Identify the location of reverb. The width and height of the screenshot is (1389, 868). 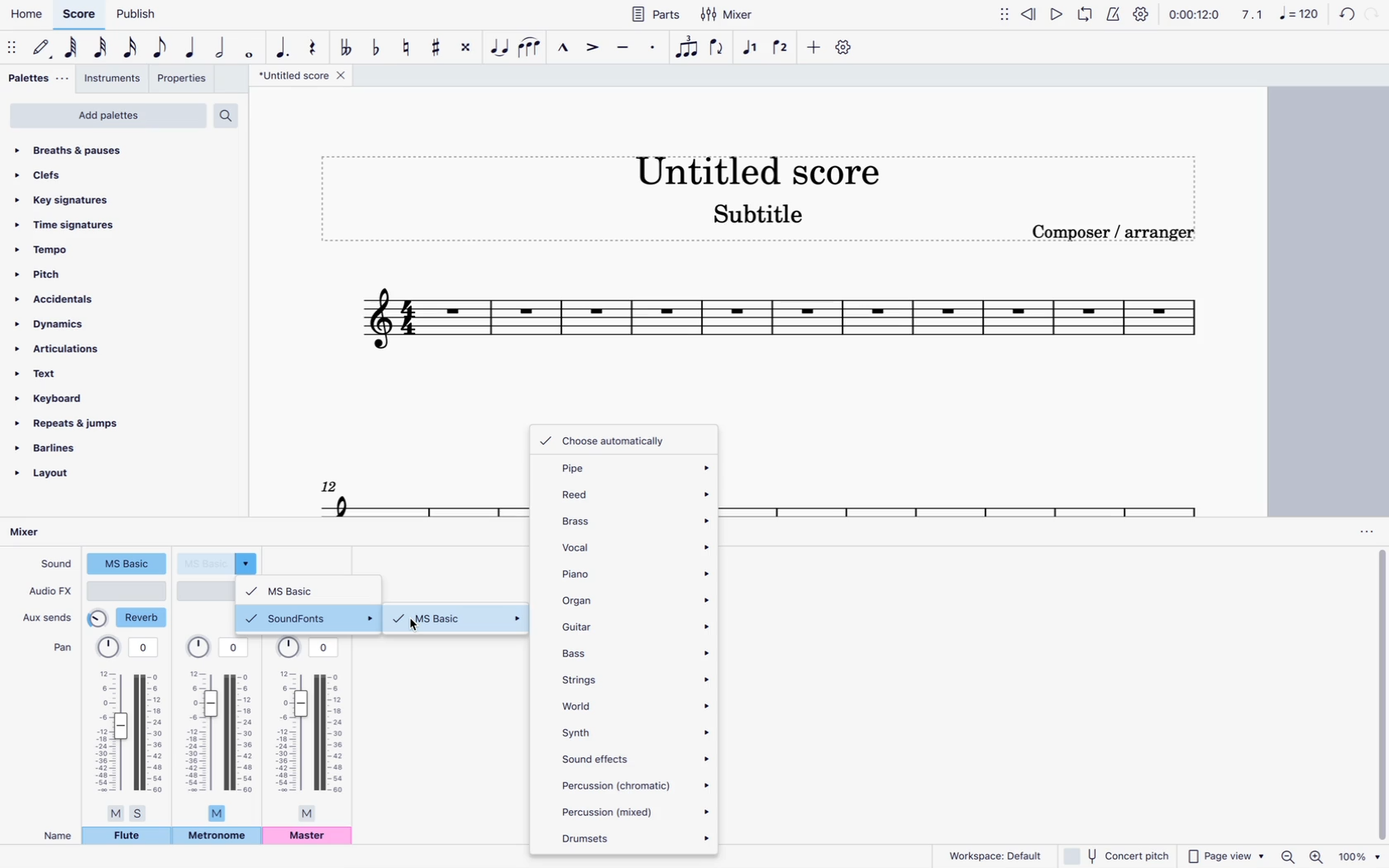
(129, 618).